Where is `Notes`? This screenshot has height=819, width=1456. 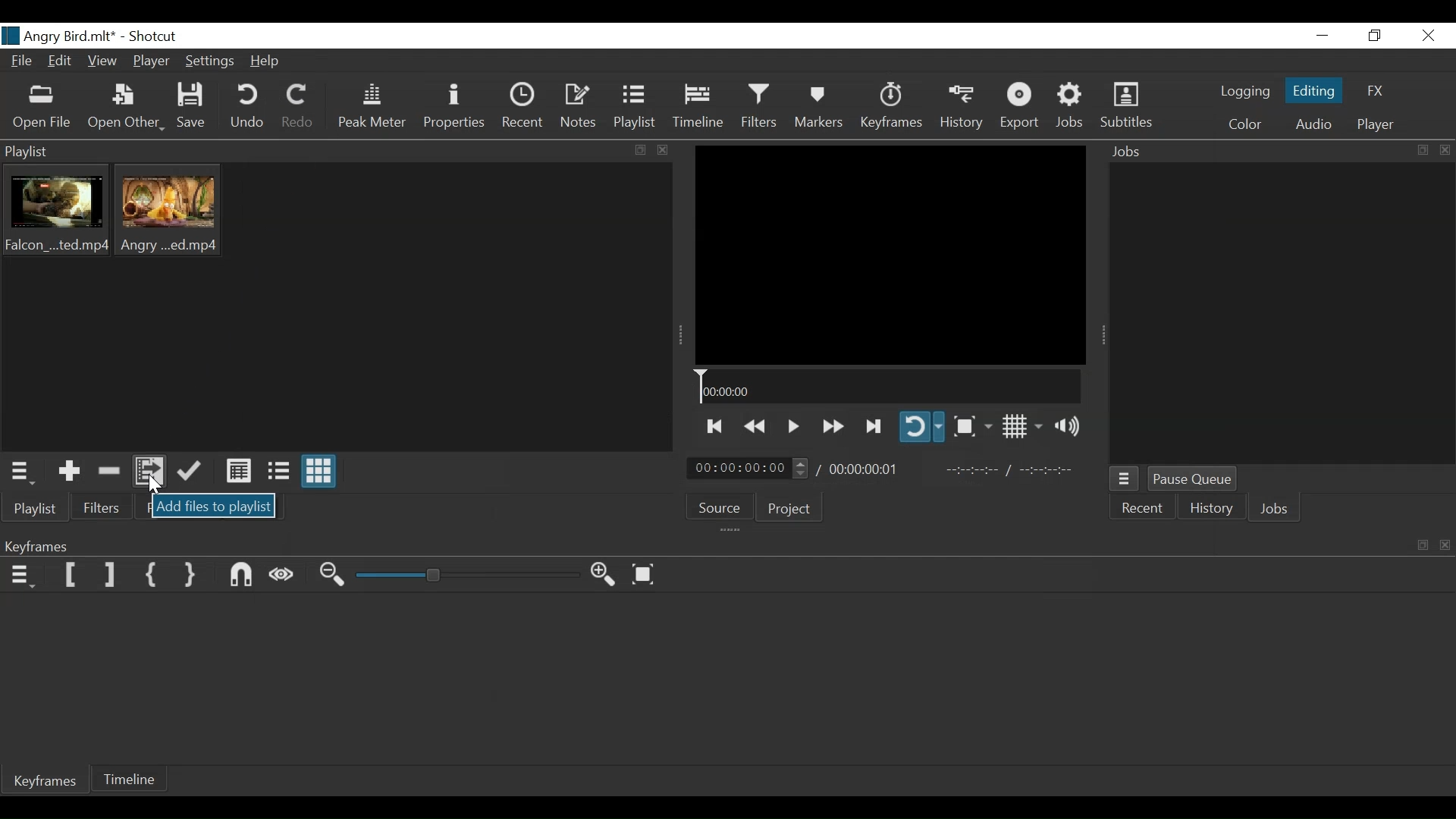 Notes is located at coordinates (582, 108).